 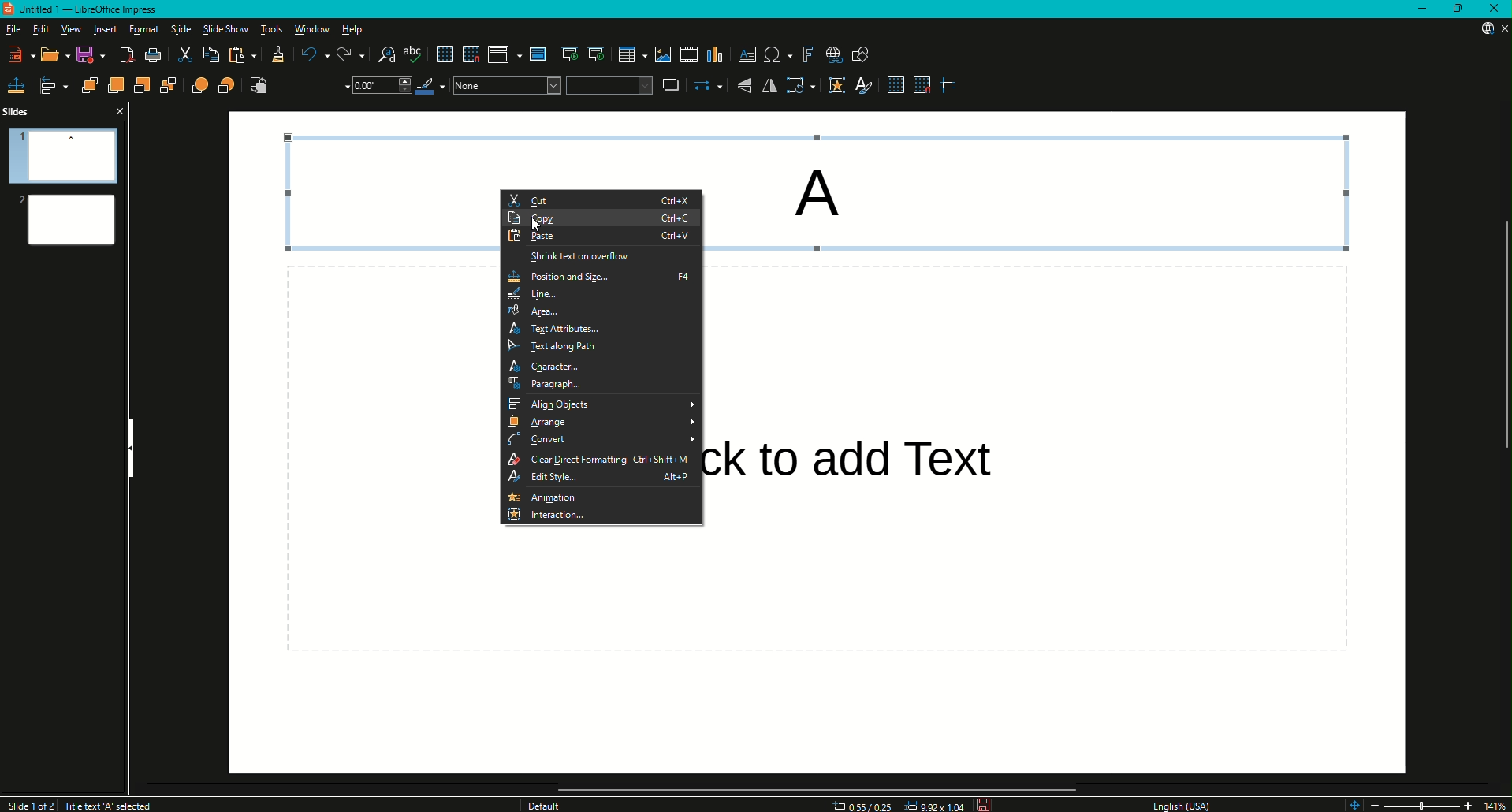 What do you see at coordinates (1186, 804) in the screenshot?
I see `English USA` at bounding box center [1186, 804].